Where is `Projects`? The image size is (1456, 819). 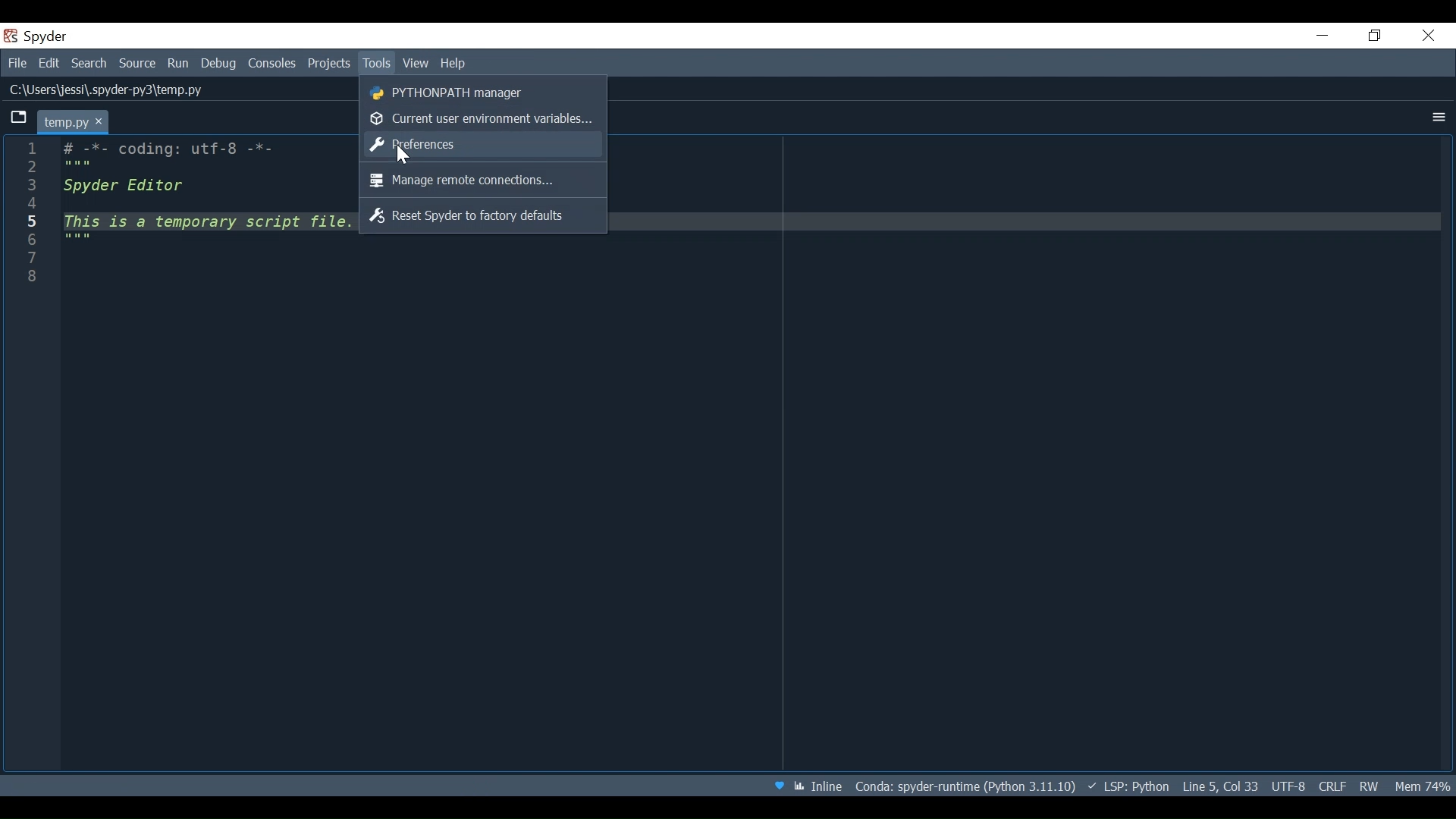 Projects is located at coordinates (328, 64).